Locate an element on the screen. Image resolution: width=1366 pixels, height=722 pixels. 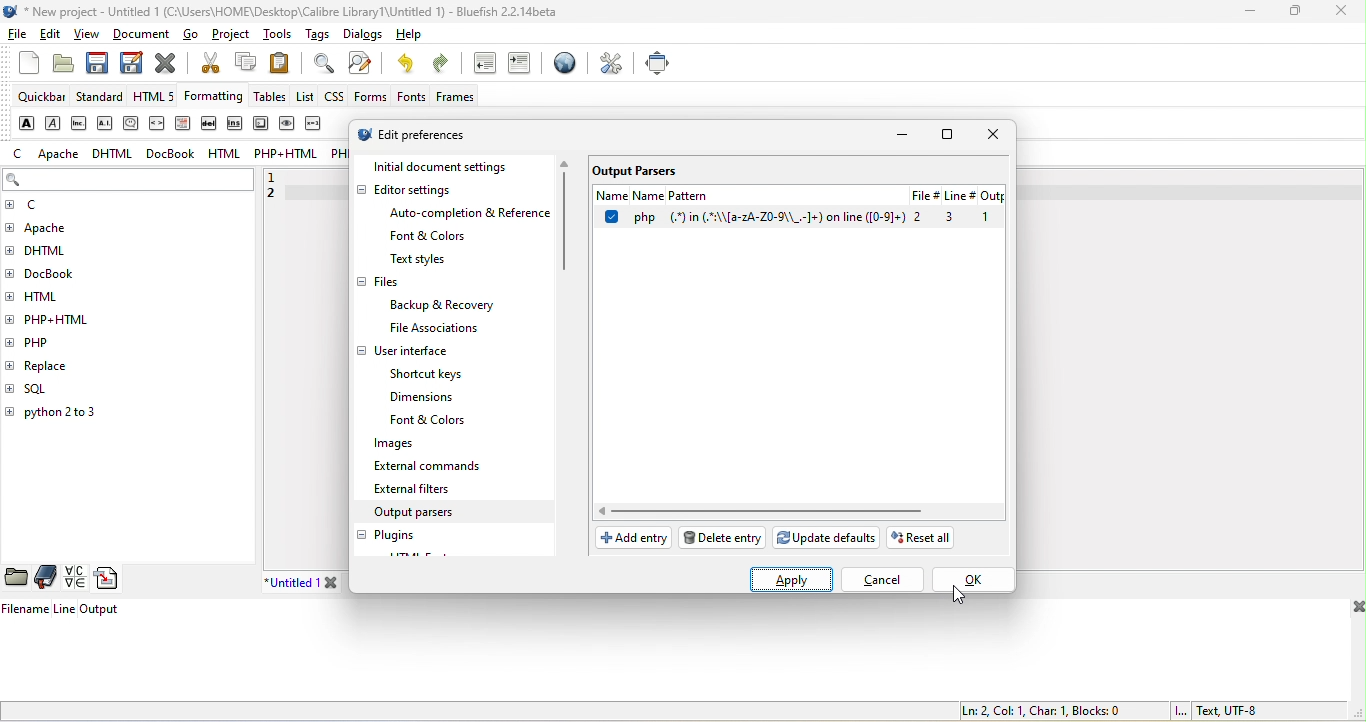
file associations is located at coordinates (424, 329).